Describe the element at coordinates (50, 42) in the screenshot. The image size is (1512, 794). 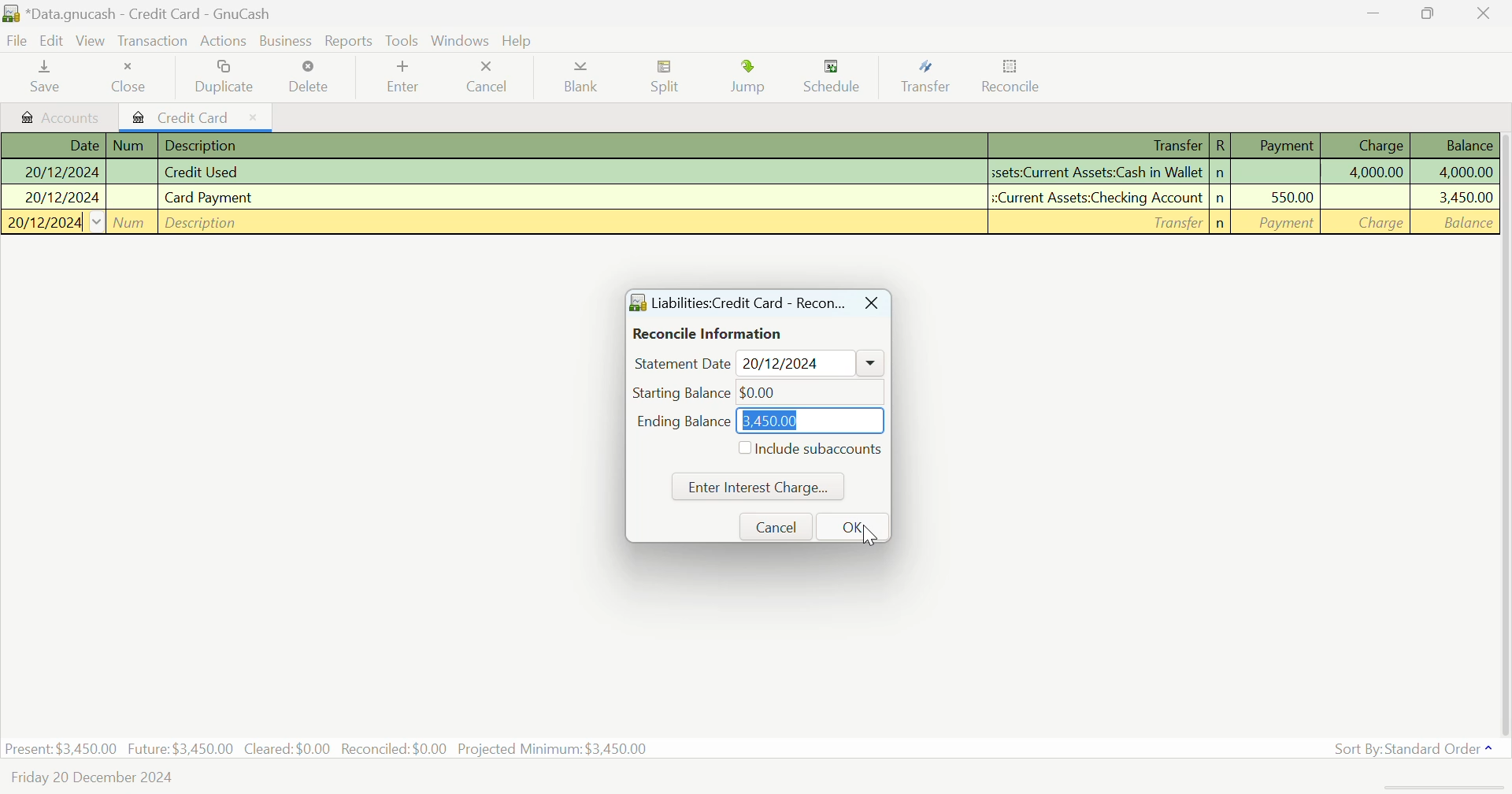
I see `Edit` at that location.